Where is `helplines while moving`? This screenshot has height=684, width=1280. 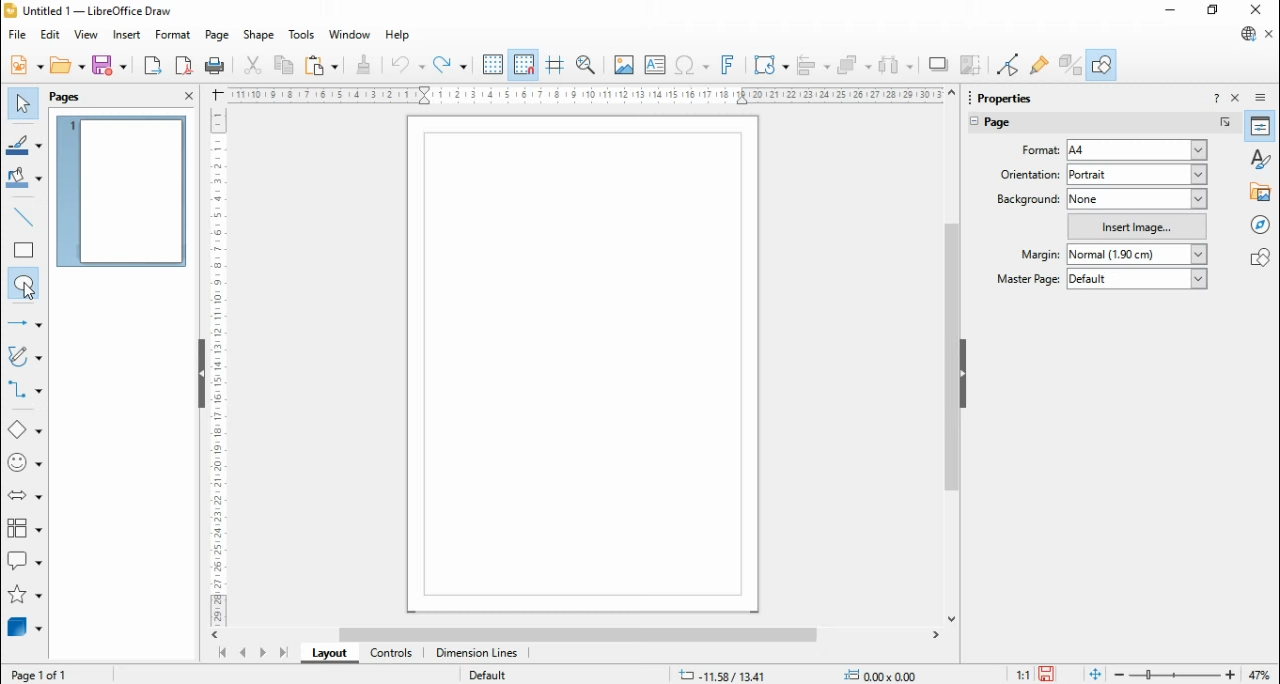
helplines while moving is located at coordinates (555, 65).